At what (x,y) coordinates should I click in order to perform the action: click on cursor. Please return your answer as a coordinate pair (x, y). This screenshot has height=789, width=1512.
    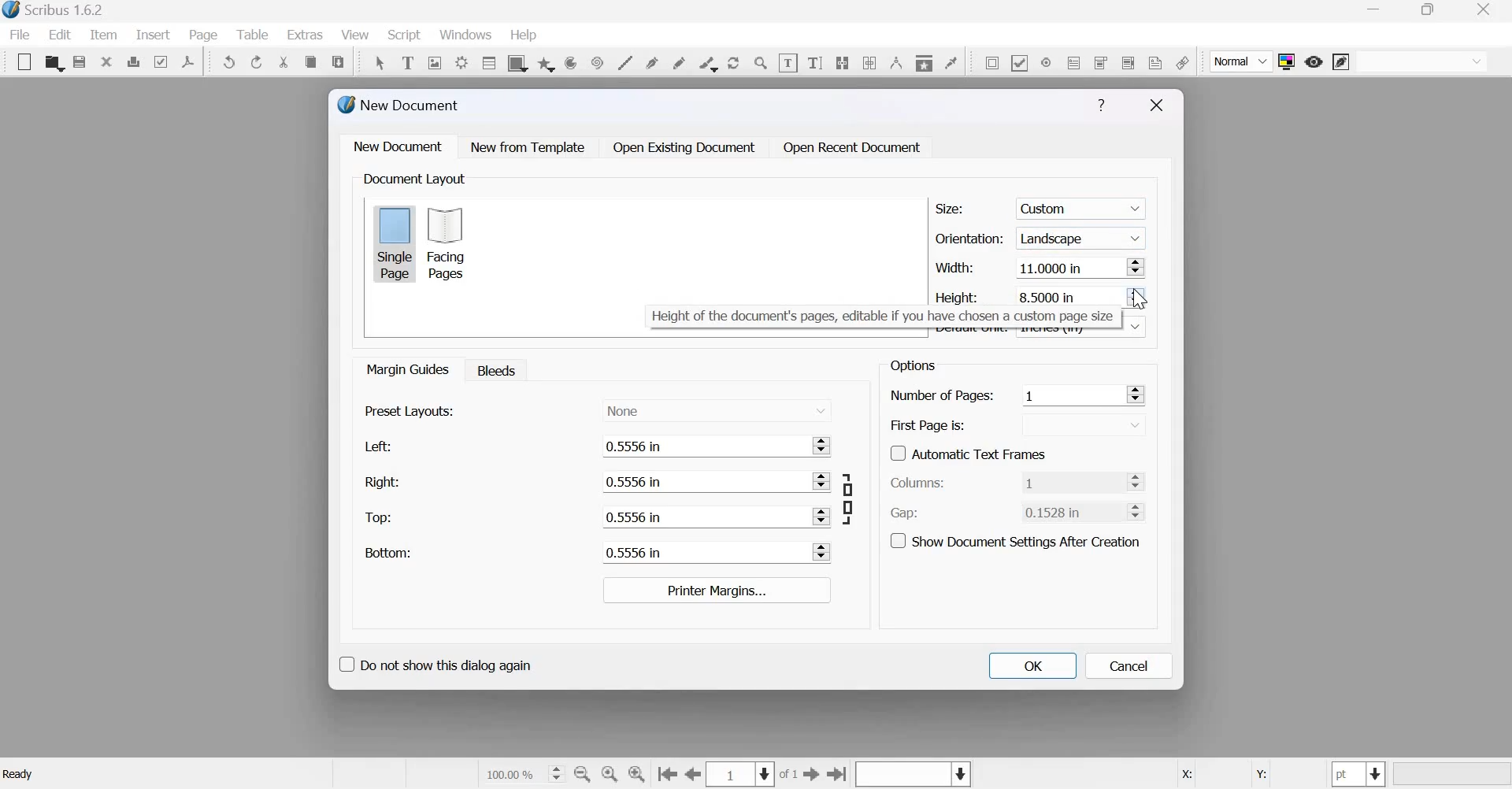
    Looking at the image, I should click on (1141, 299).